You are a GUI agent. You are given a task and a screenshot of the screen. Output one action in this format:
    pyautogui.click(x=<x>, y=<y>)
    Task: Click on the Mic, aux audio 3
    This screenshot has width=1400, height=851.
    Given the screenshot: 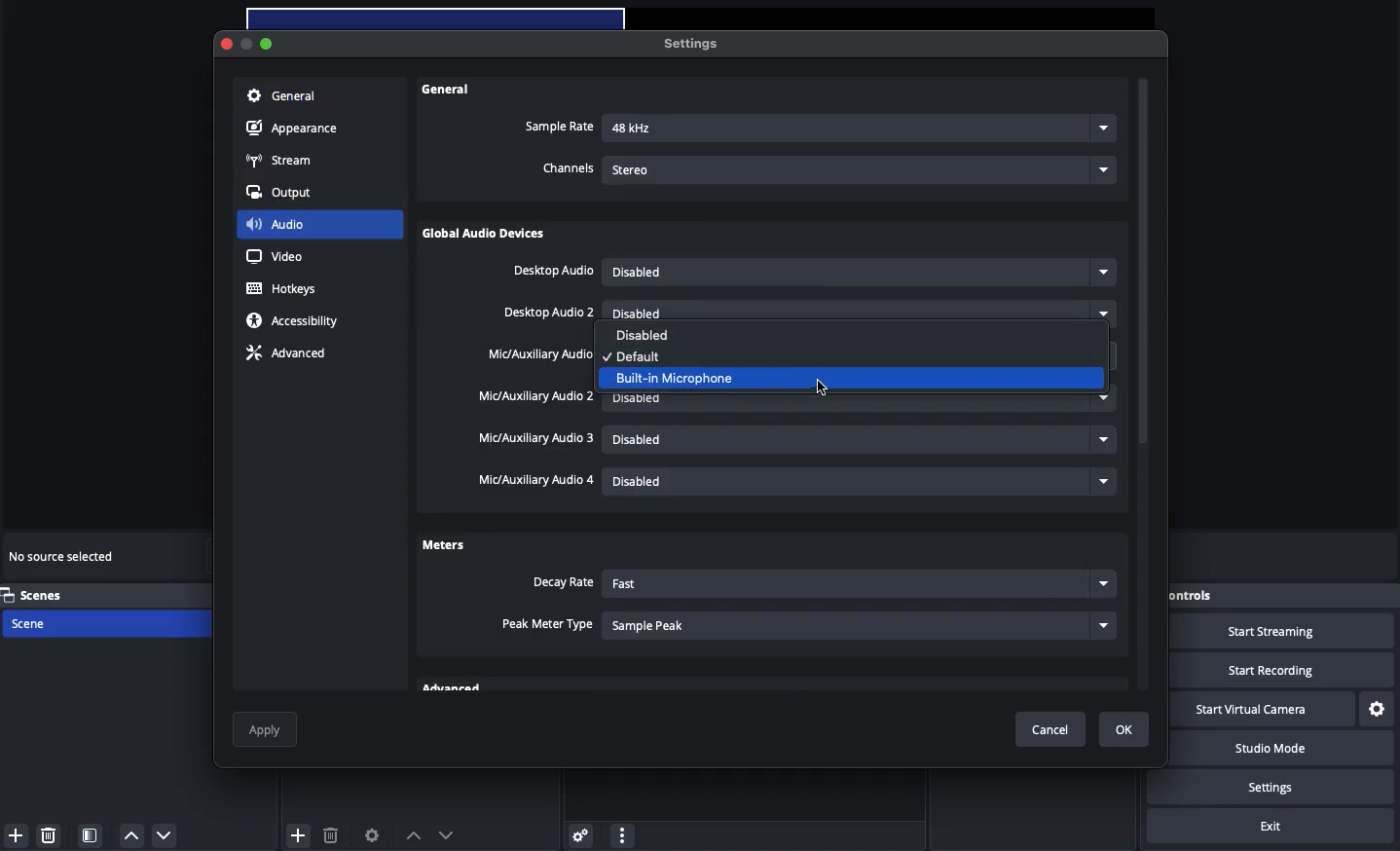 What is the action you would take?
    pyautogui.click(x=537, y=439)
    